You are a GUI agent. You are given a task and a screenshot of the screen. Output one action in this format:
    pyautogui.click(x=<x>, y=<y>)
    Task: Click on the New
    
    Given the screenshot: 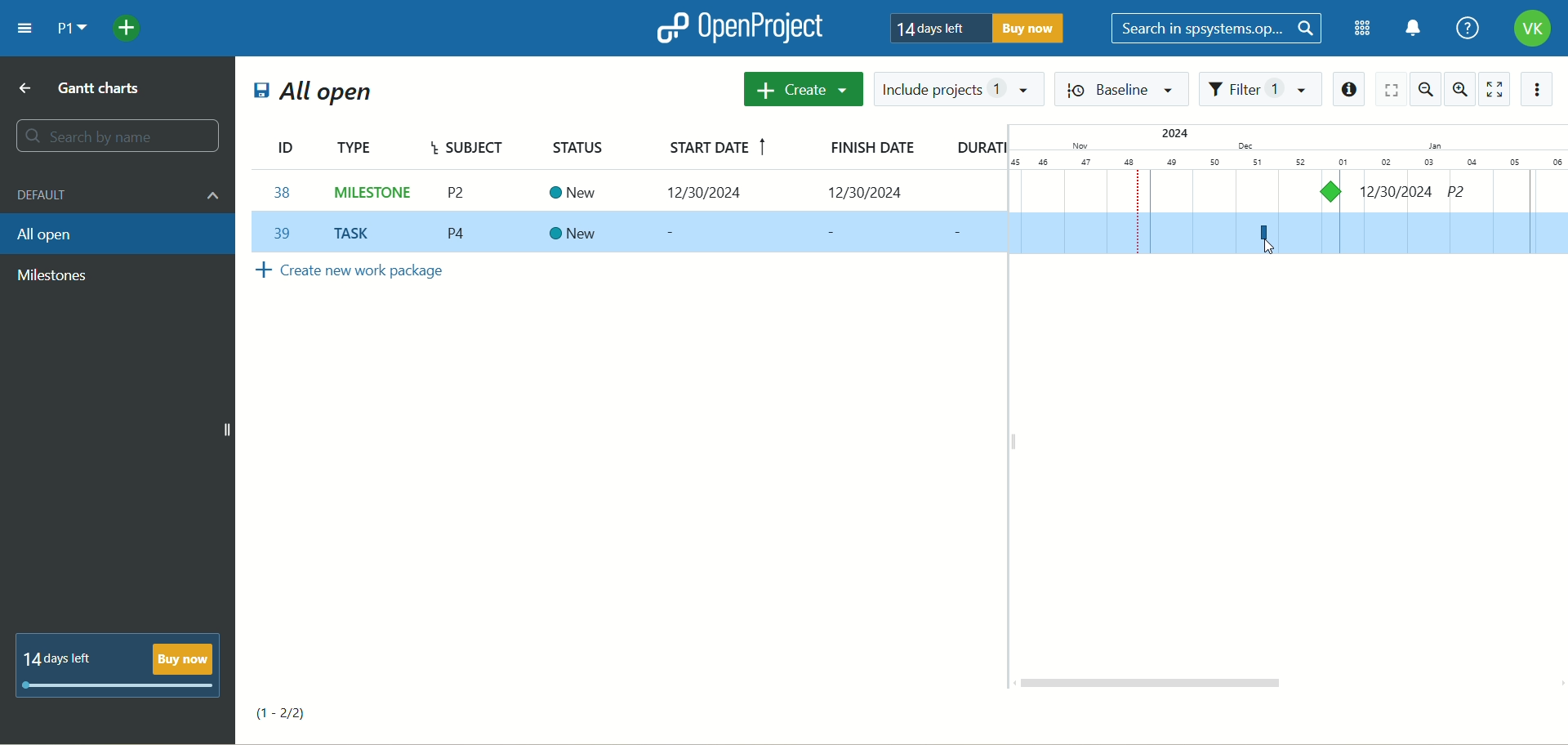 What is the action you would take?
    pyautogui.click(x=575, y=194)
    